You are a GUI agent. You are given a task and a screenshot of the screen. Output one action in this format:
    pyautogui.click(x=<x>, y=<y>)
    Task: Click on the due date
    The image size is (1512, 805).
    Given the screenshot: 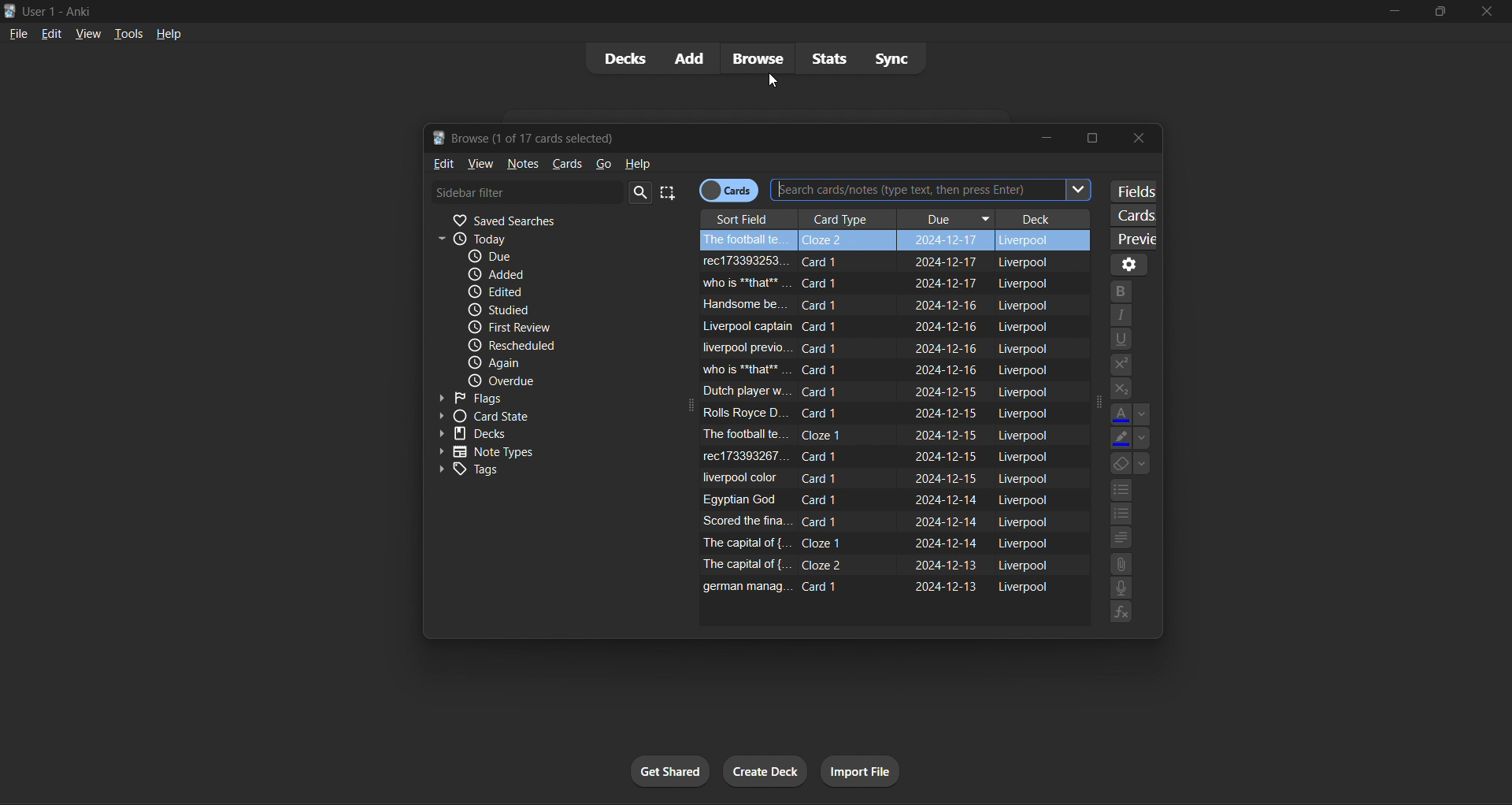 What is the action you would take?
    pyautogui.click(x=948, y=521)
    